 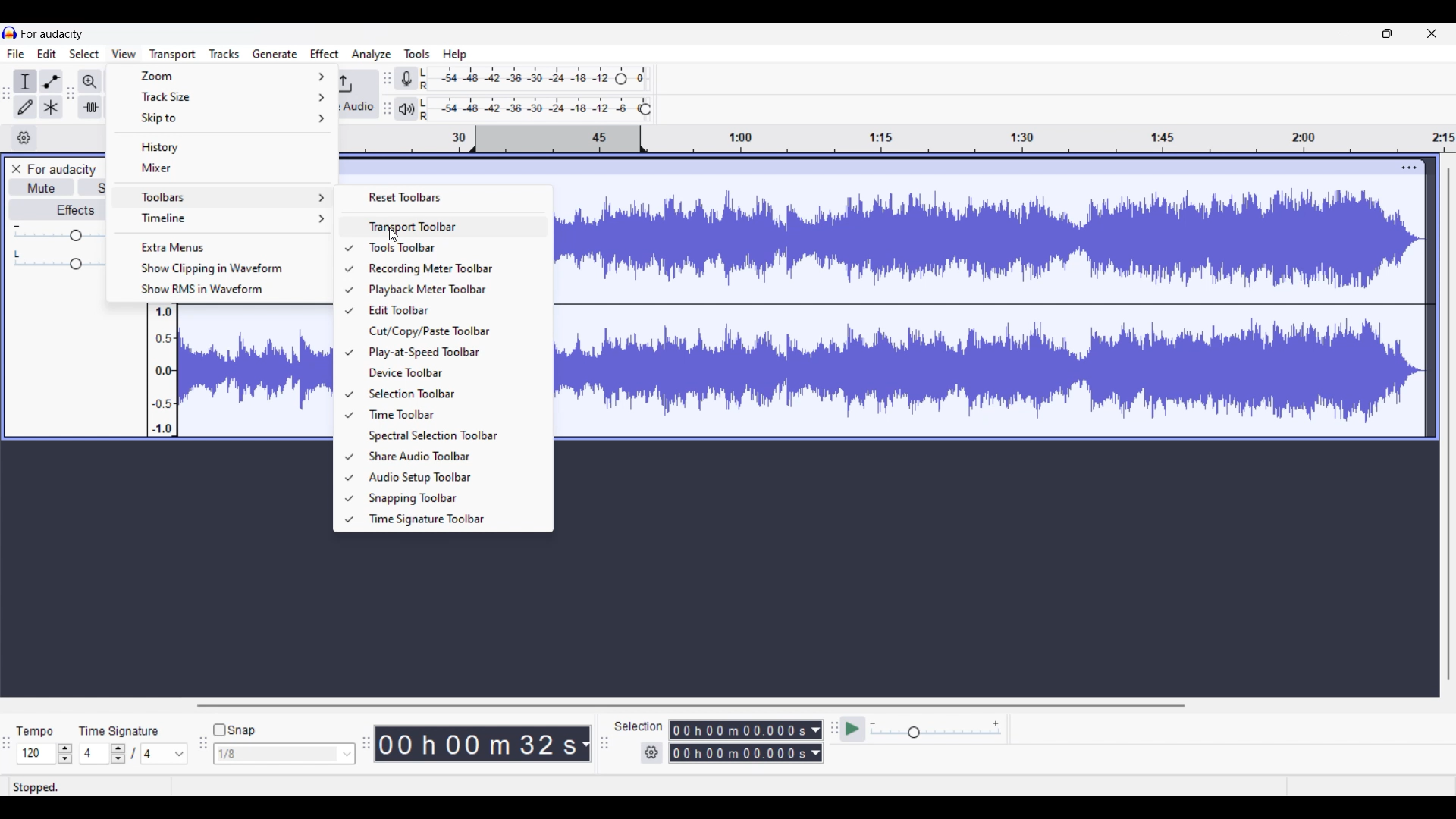 I want to click on Show clipping in waveform, so click(x=219, y=268).